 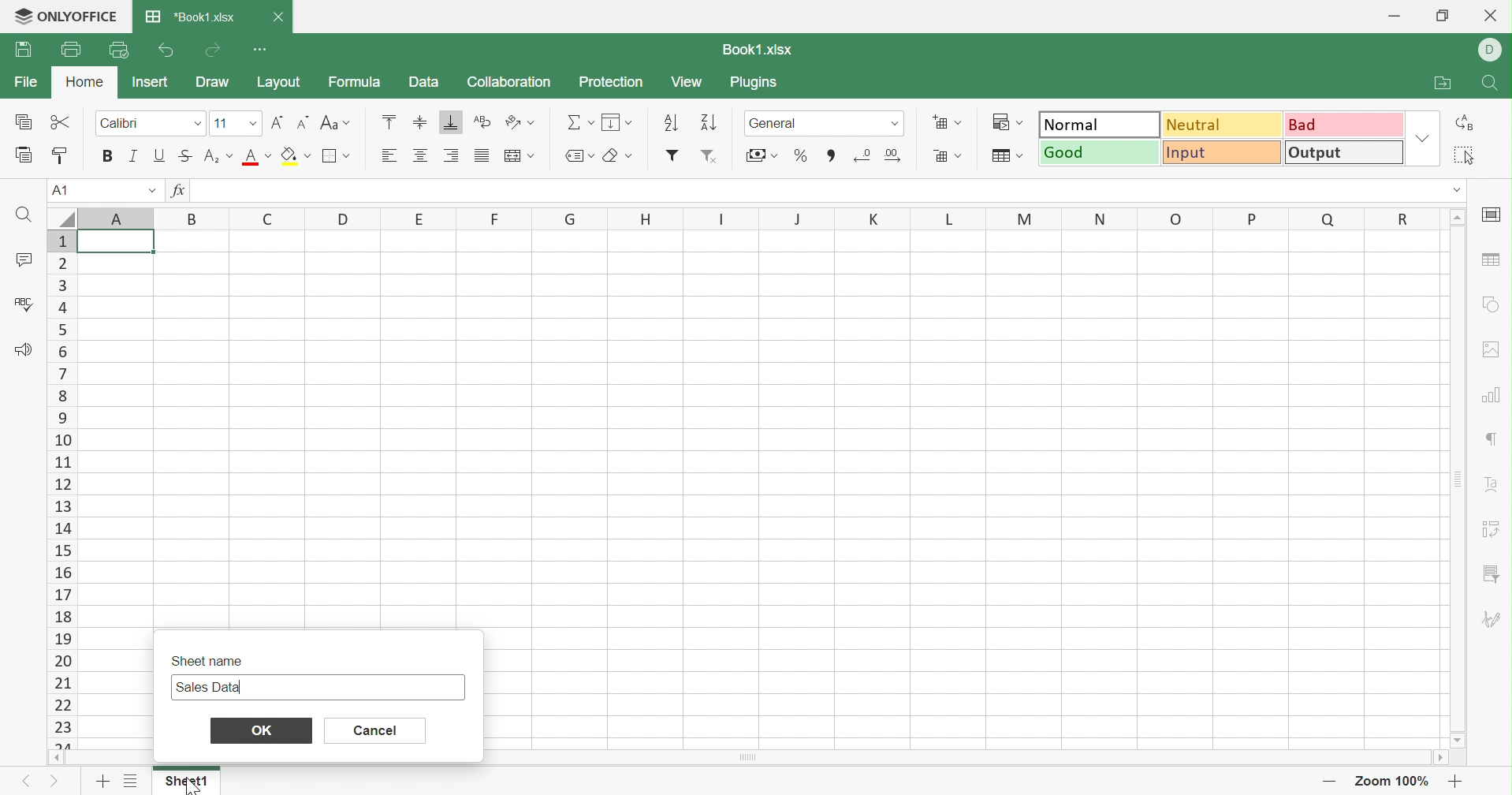 What do you see at coordinates (261, 47) in the screenshot?
I see `Customize Quick Access Toolbar` at bounding box center [261, 47].